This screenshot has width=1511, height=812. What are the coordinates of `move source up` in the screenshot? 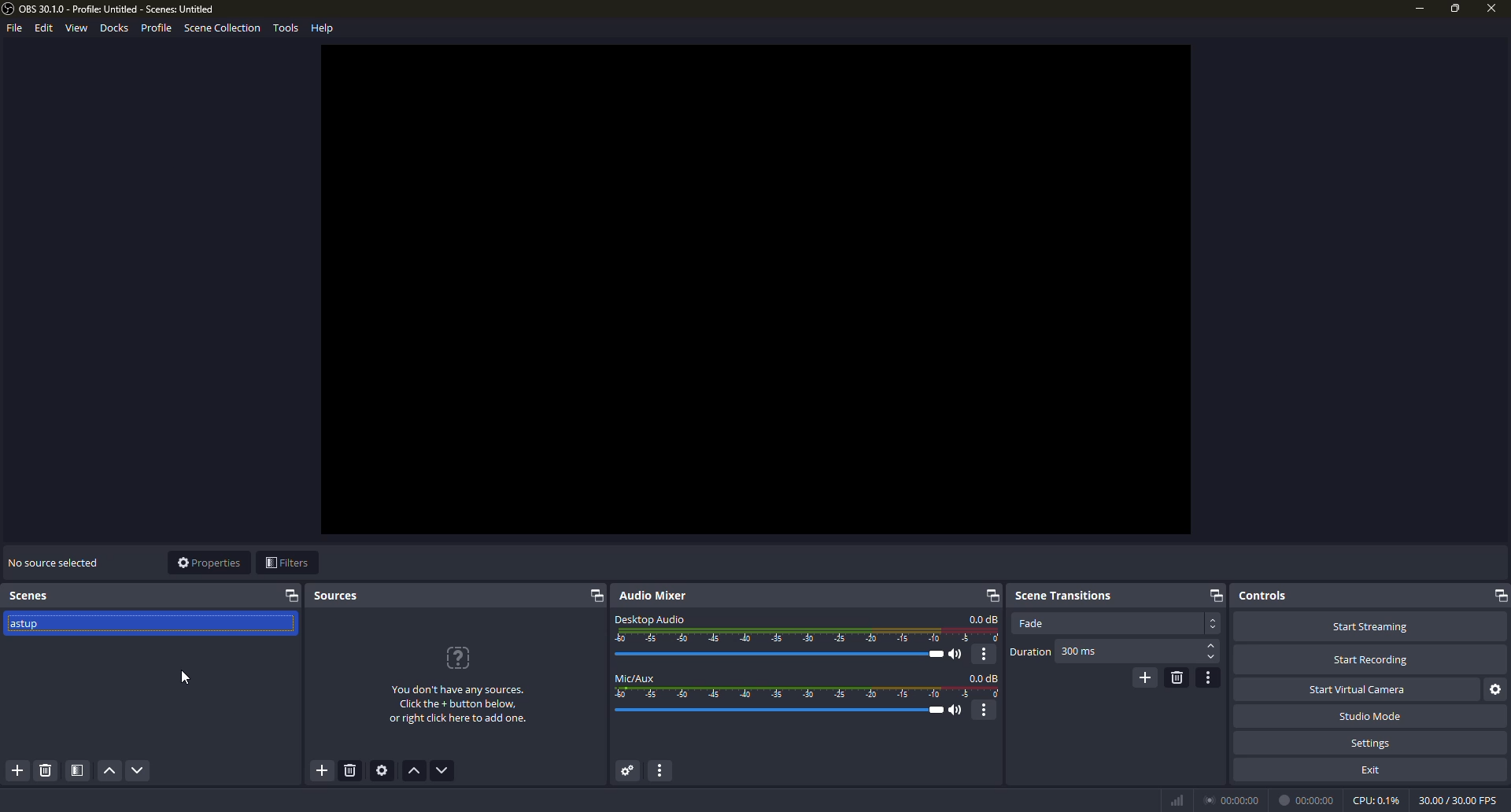 It's located at (416, 772).